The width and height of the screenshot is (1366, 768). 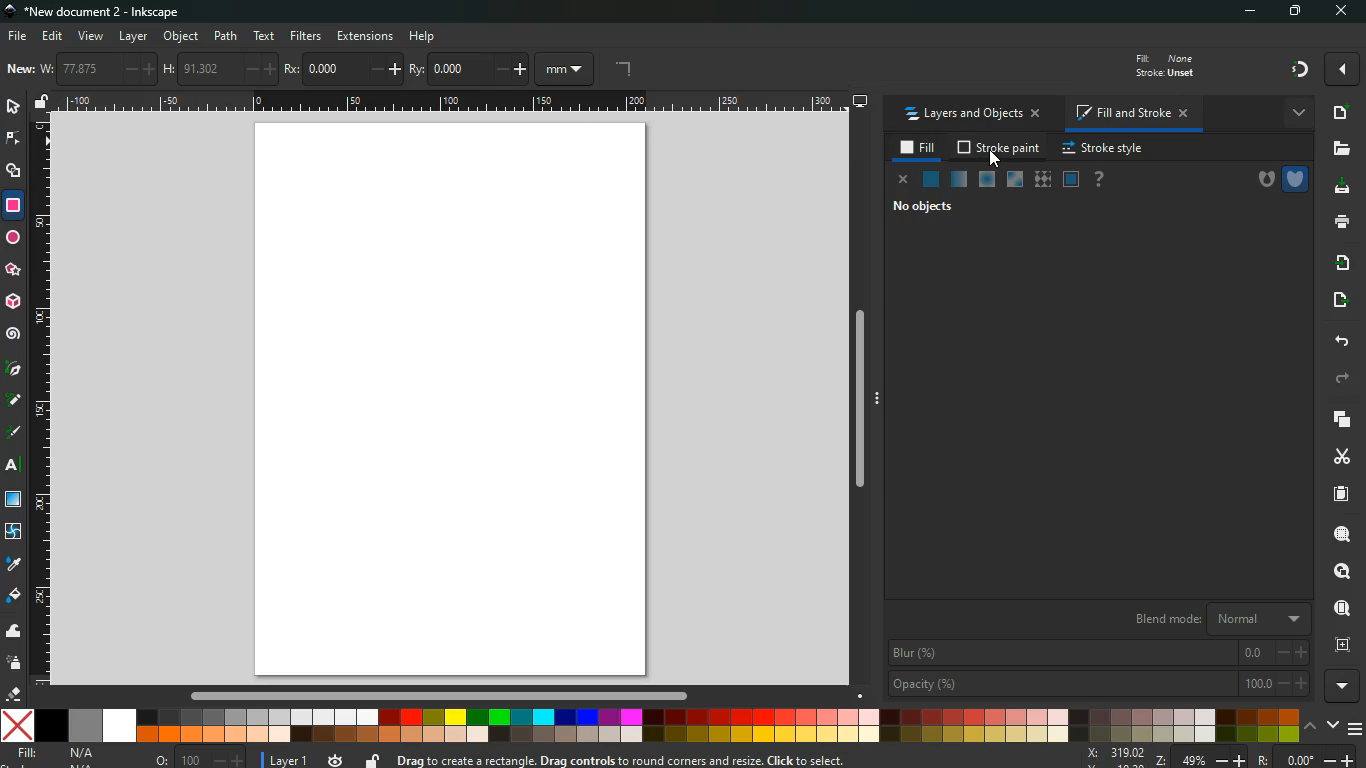 I want to click on cut, so click(x=1340, y=458).